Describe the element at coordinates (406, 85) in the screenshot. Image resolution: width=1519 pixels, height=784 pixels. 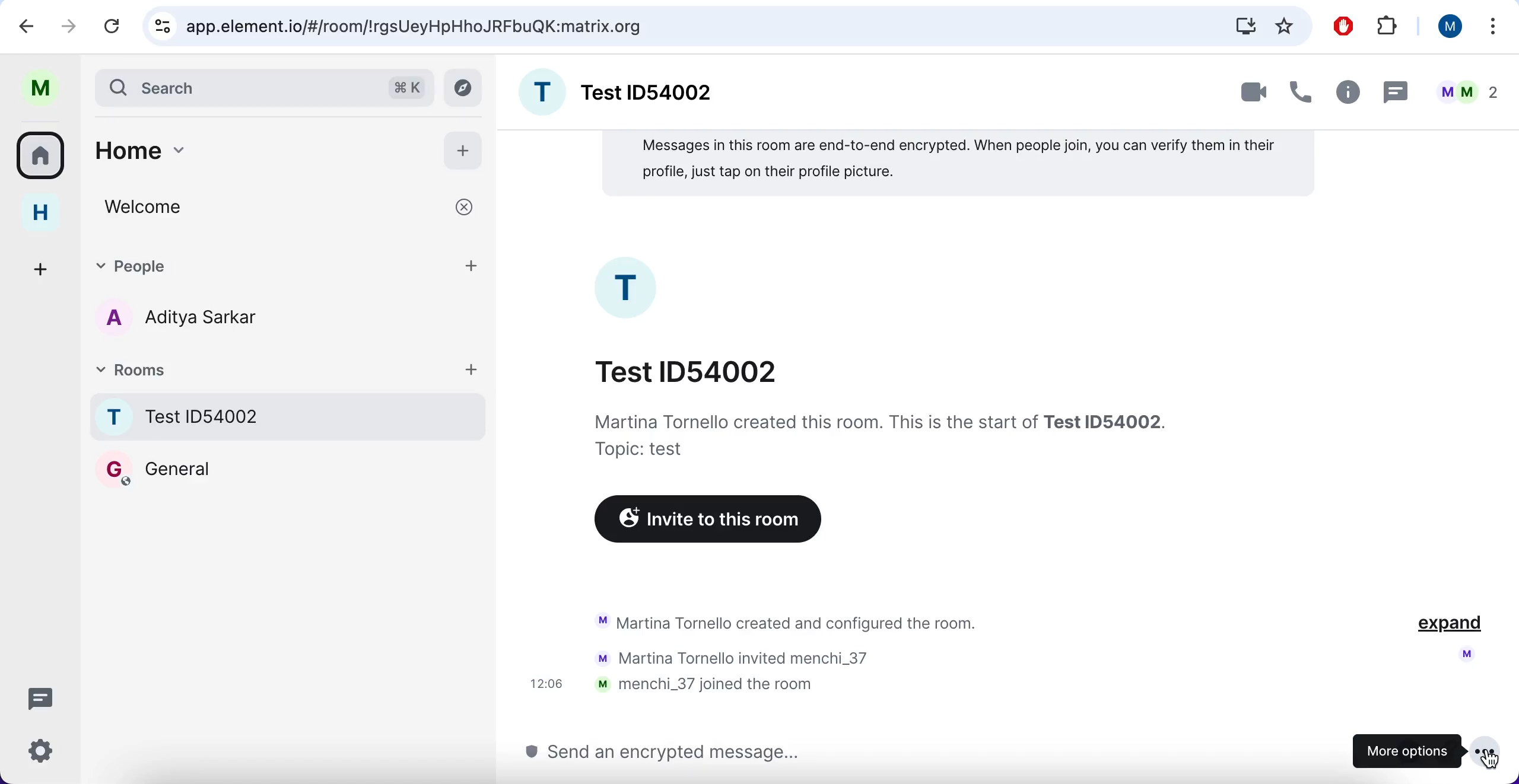
I see `command` at that location.